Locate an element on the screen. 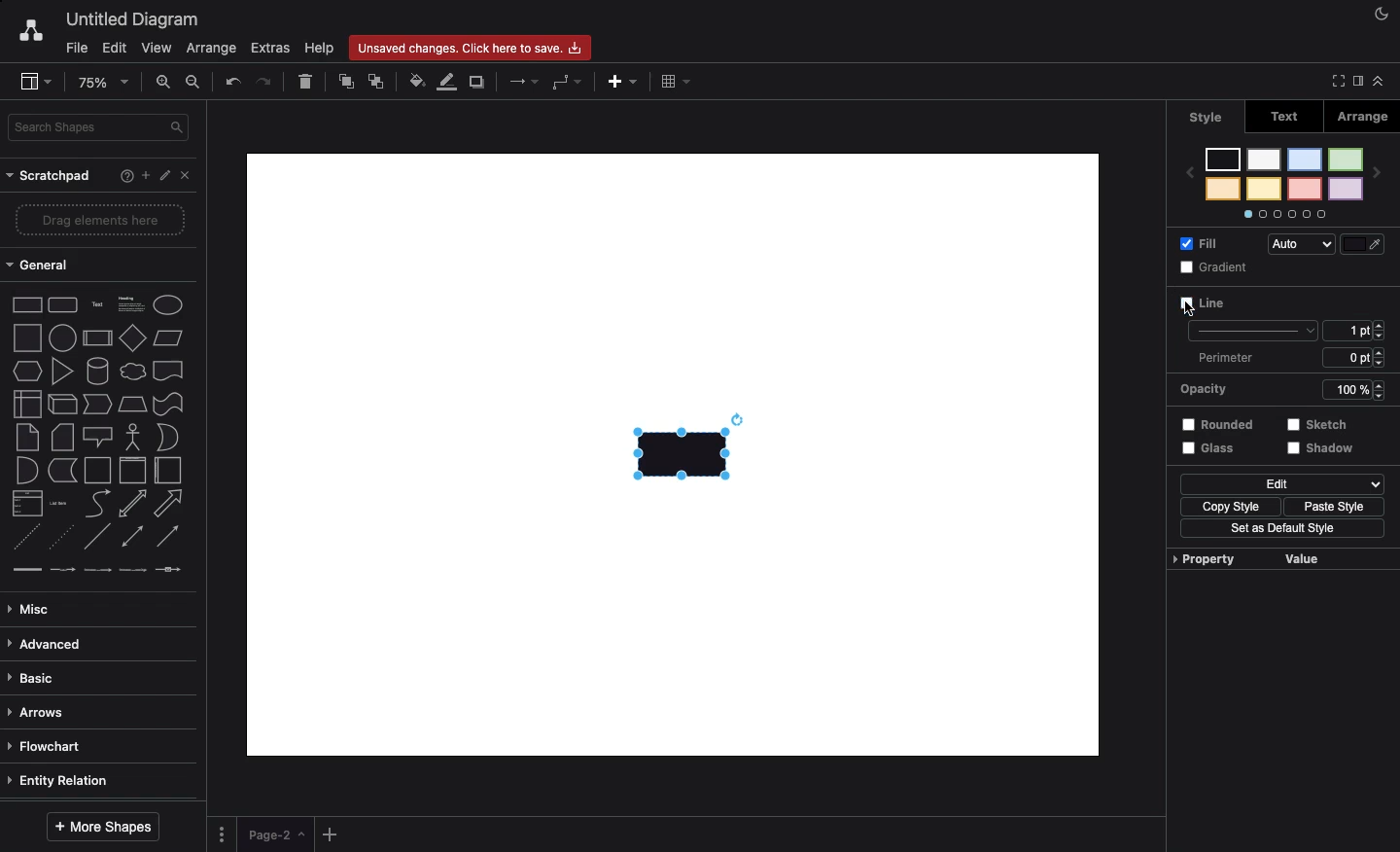 This screenshot has width=1400, height=852. Untitled diagram is located at coordinates (131, 20).